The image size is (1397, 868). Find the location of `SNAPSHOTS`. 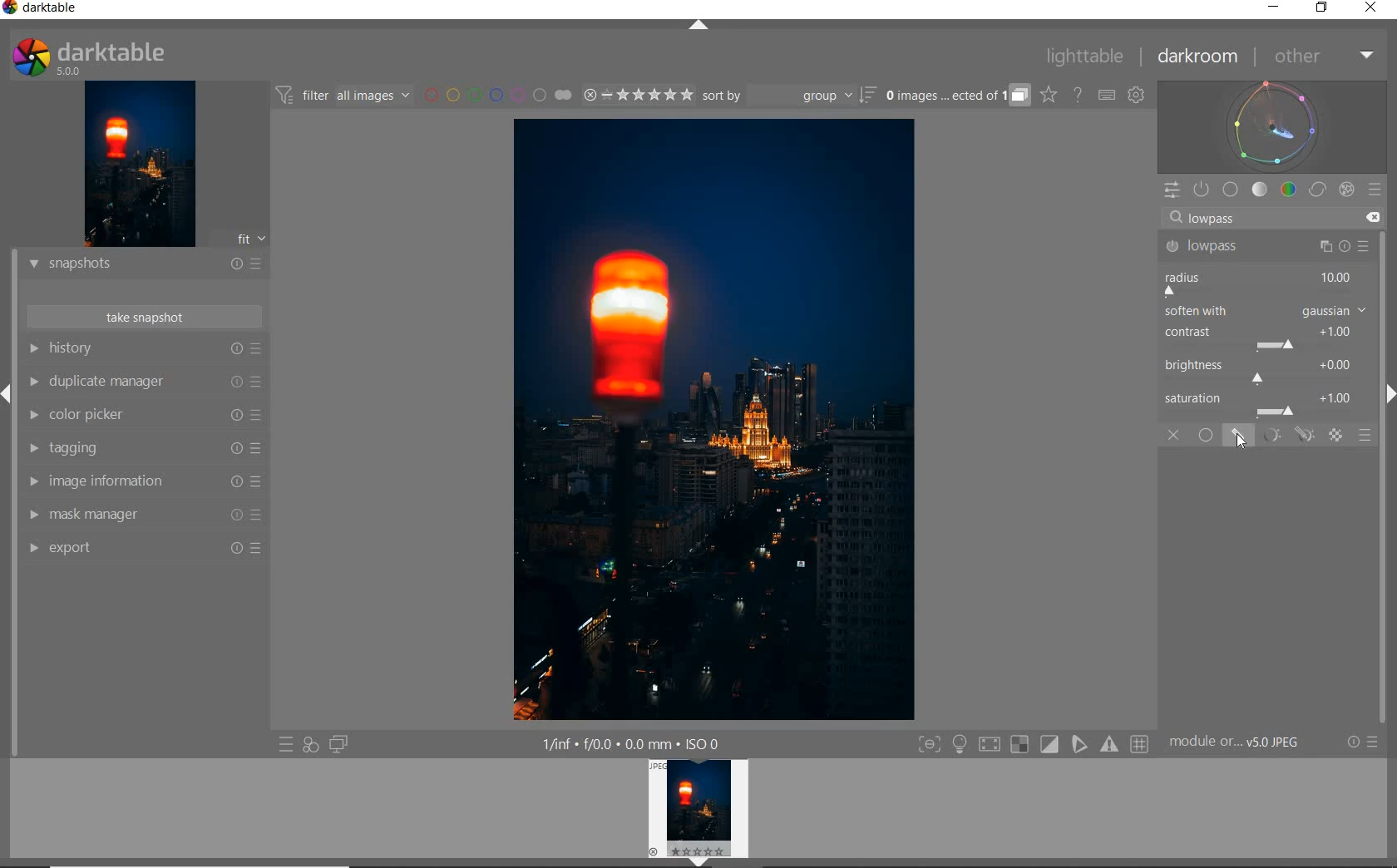

SNAPSHOTS is located at coordinates (105, 263).